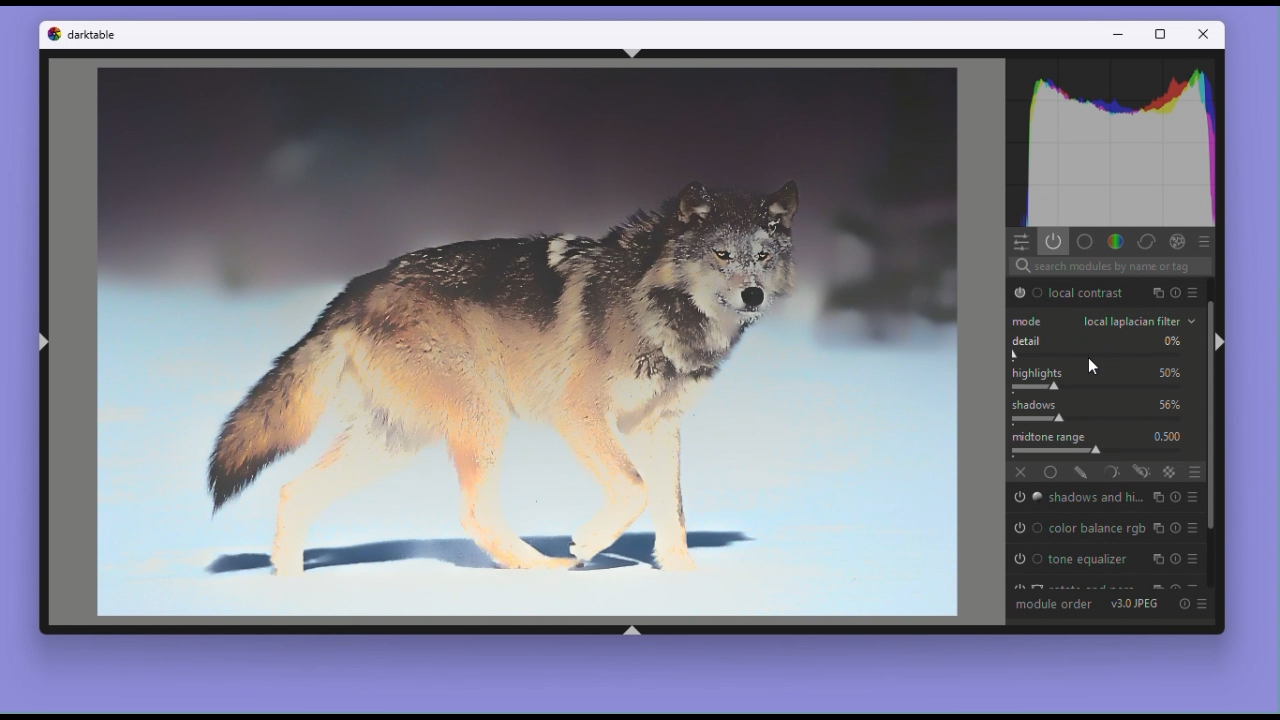  Describe the element at coordinates (1090, 605) in the screenshot. I see `module order v3.0 JPEG` at that location.